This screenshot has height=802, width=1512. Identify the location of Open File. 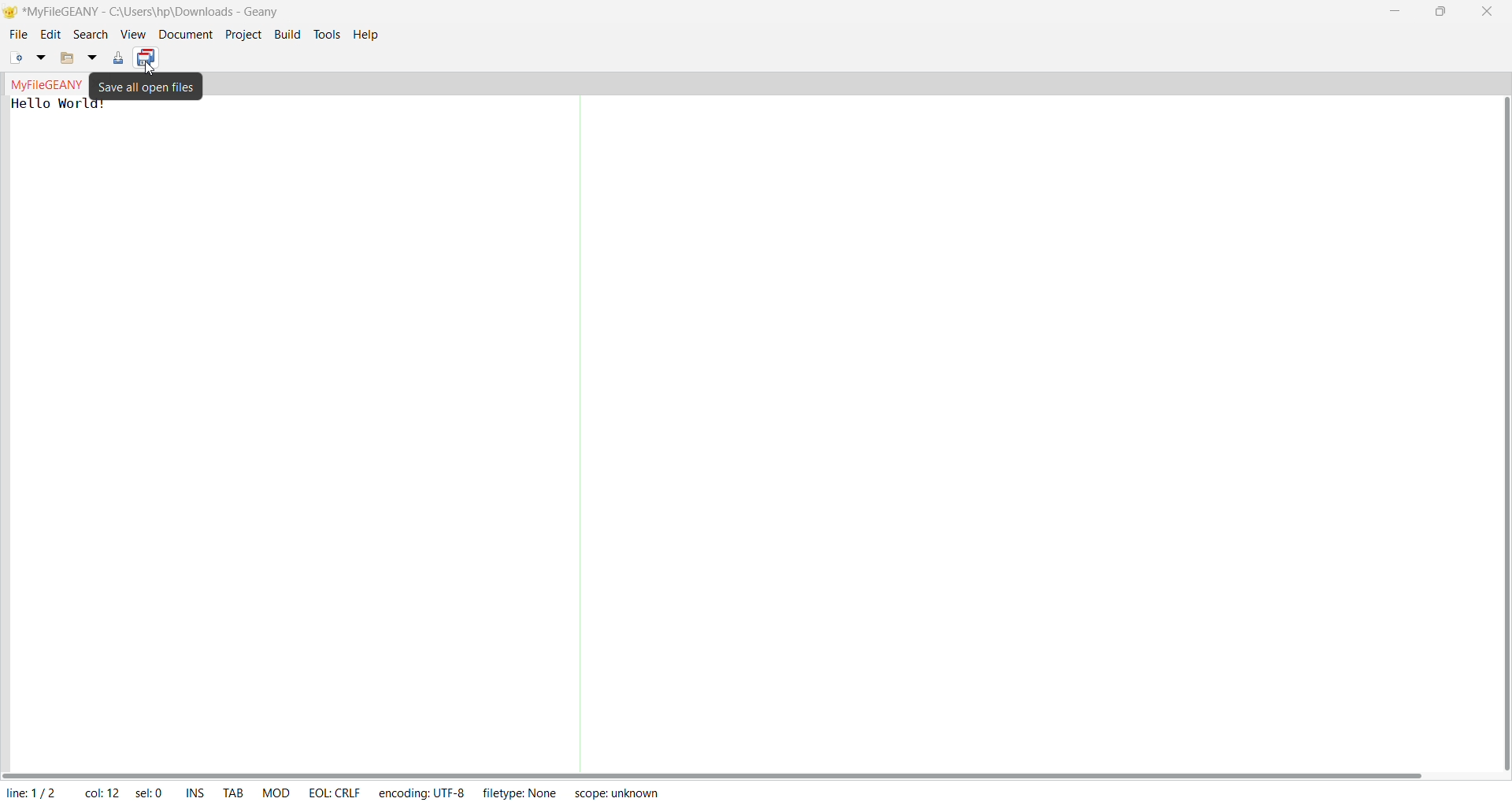
(67, 58).